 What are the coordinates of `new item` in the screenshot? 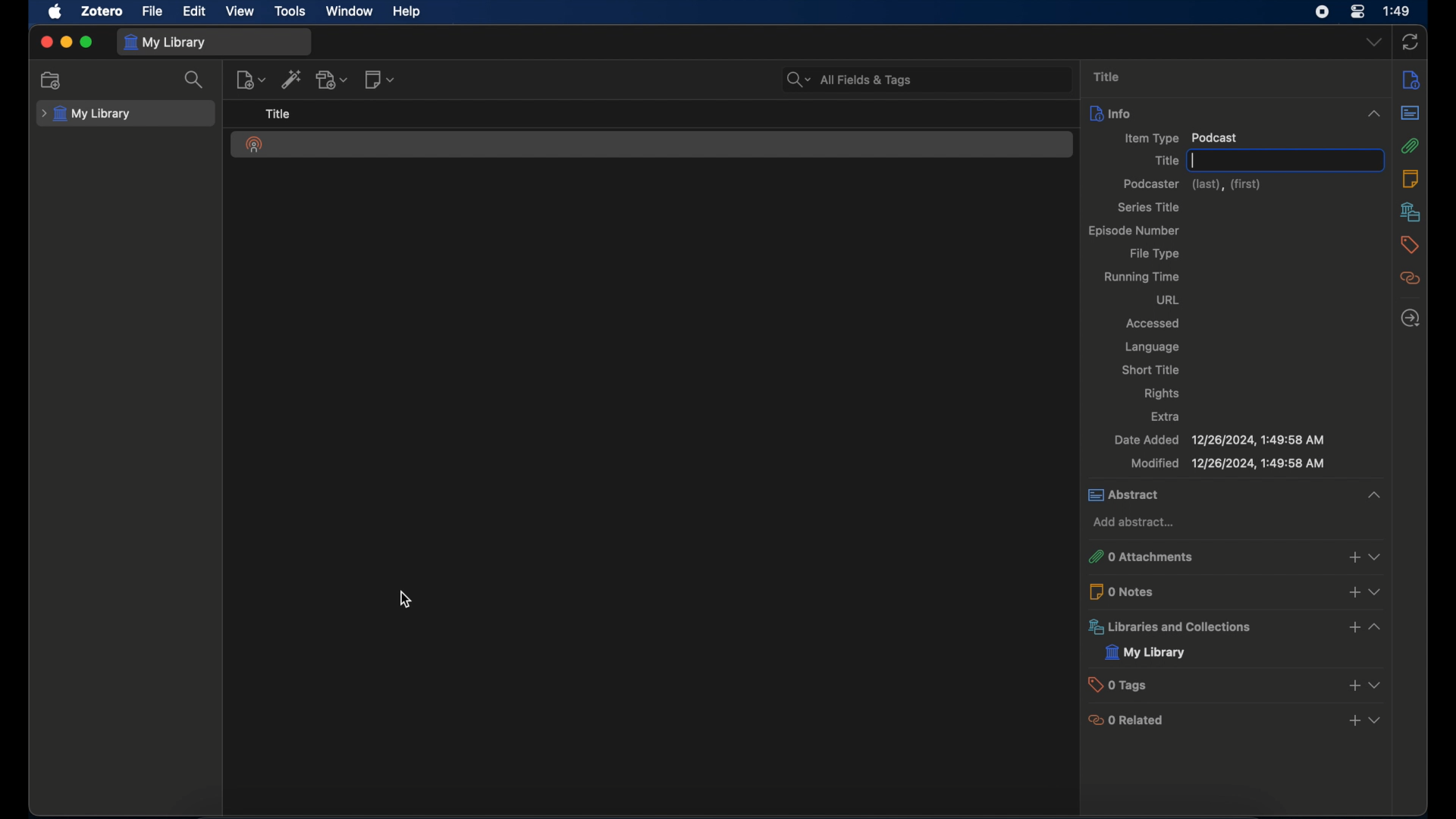 It's located at (251, 80).